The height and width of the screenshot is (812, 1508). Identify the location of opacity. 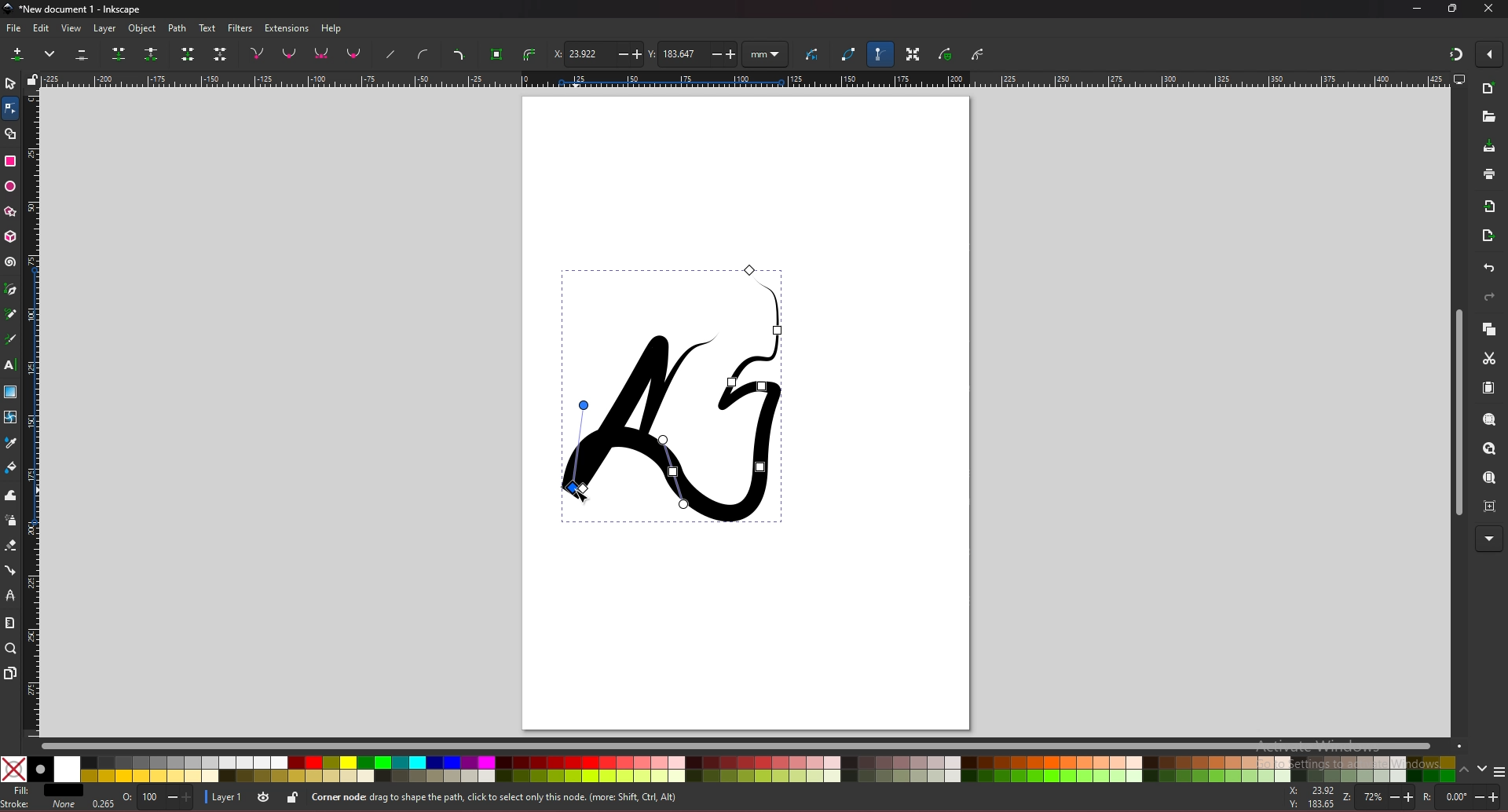
(158, 798).